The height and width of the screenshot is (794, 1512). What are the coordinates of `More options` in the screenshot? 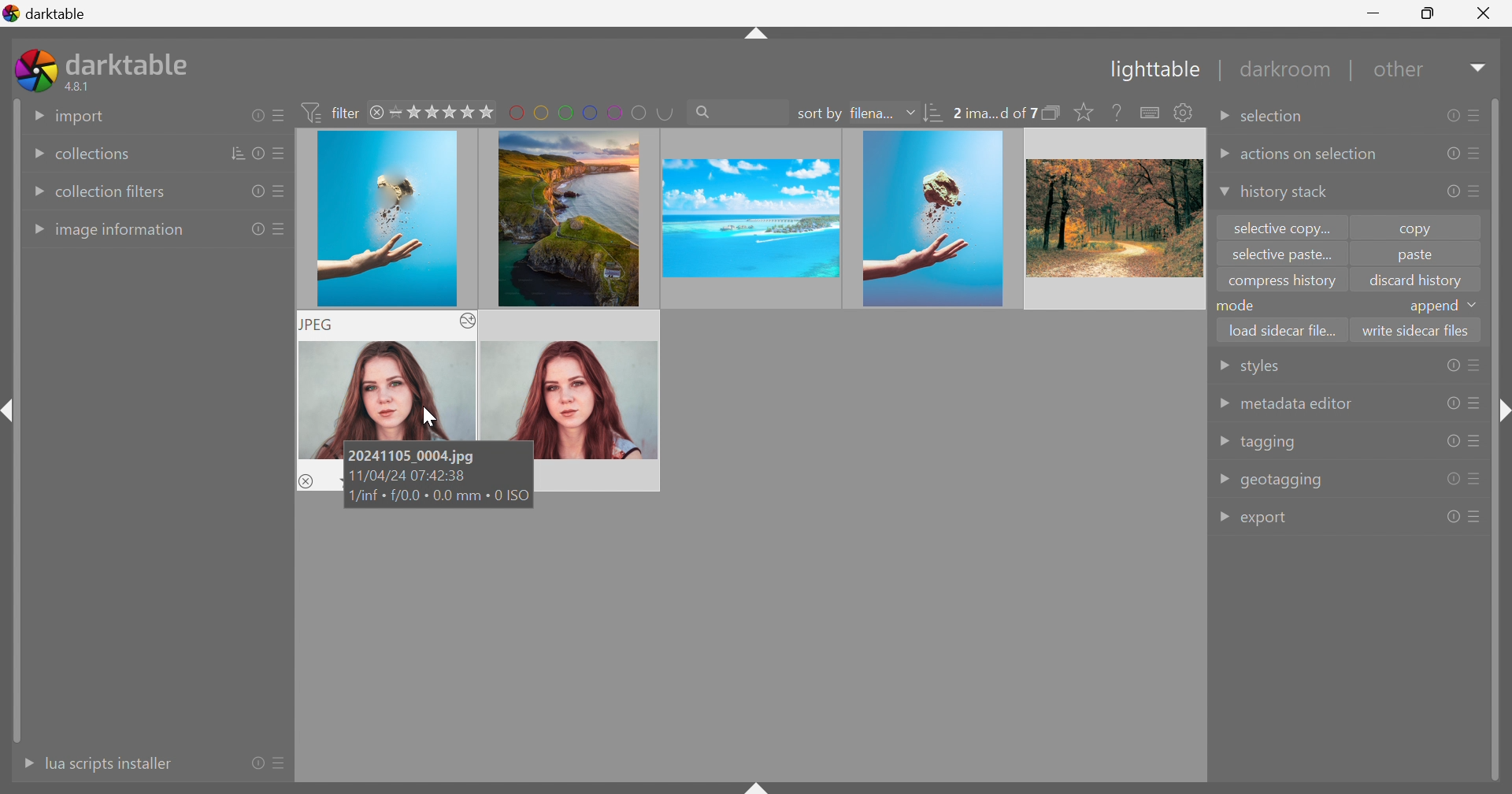 It's located at (466, 321).